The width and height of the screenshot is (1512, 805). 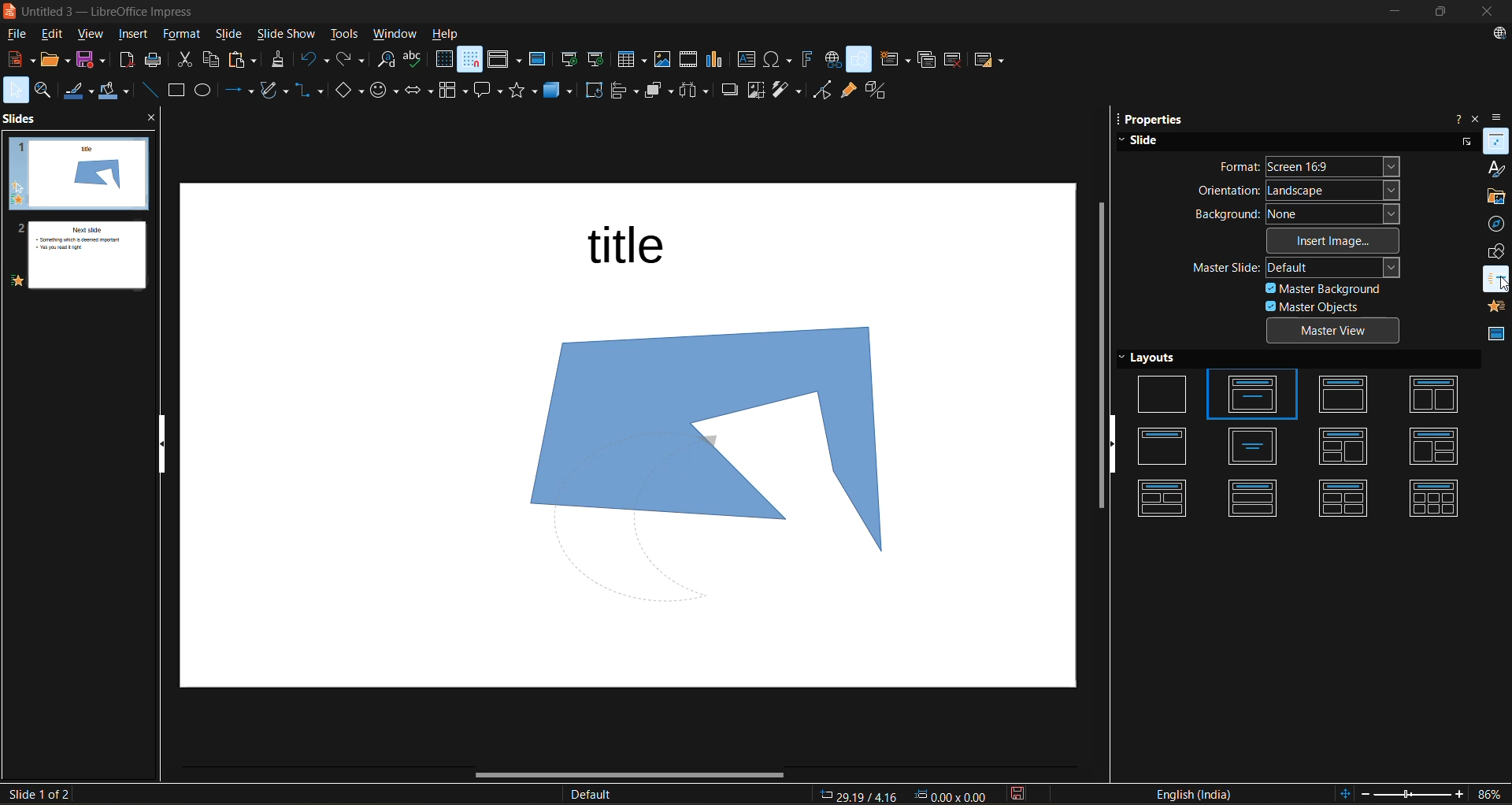 I want to click on start from first slide, so click(x=571, y=60).